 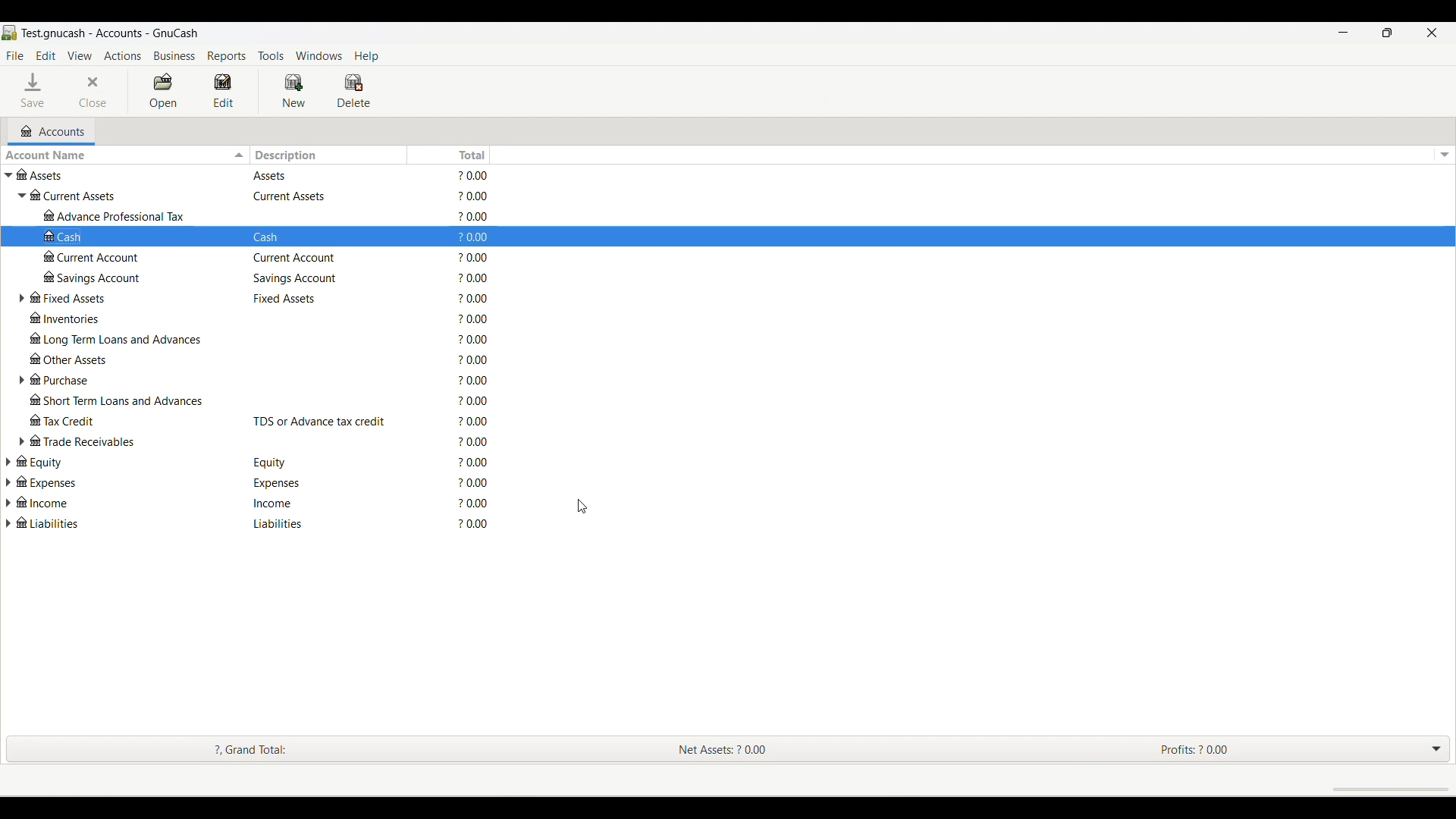 I want to click on Minimize, so click(x=1343, y=33).